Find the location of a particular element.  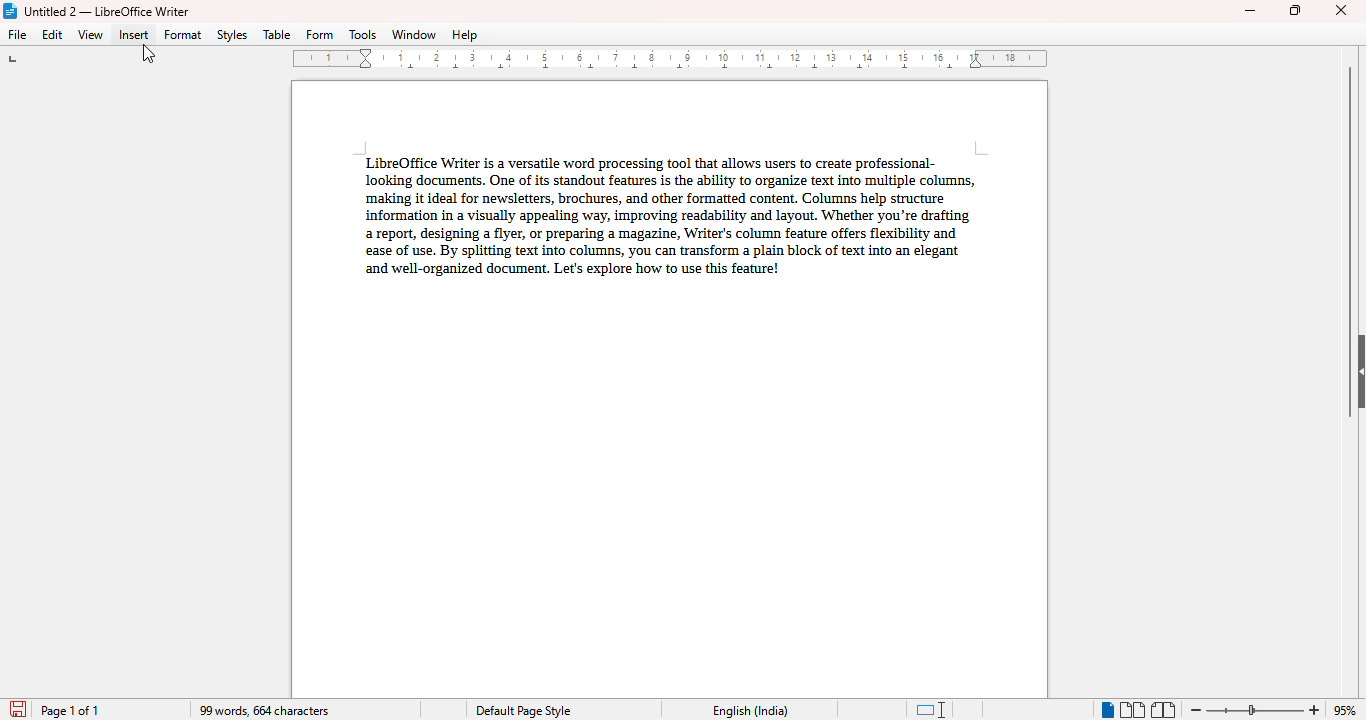

view is located at coordinates (92, 35).